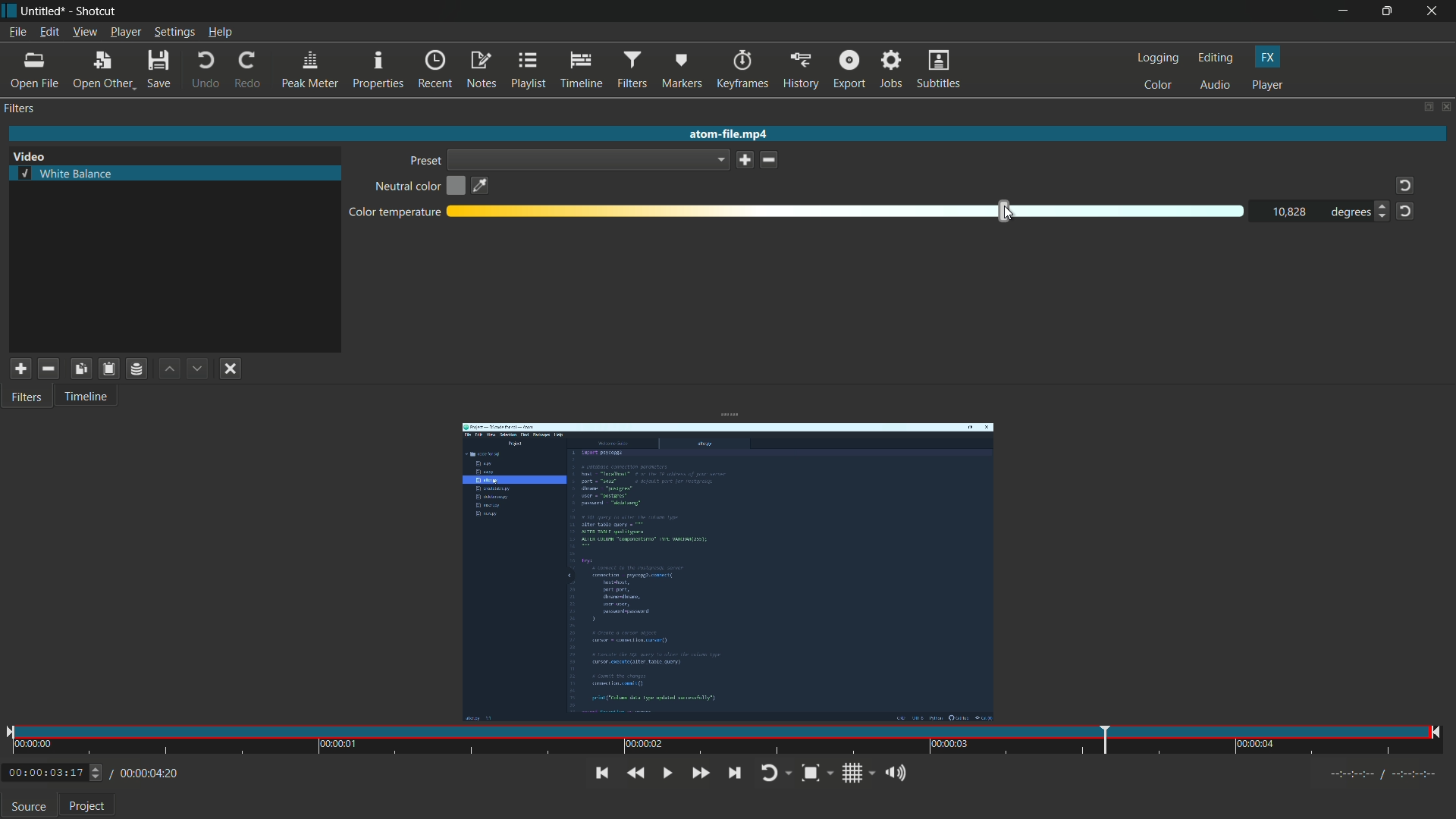 The height and width of the screenshot is (819, 1456). Describe the element at coordinates (199, 369) in the screenshot. I see `move filter down` at that location.